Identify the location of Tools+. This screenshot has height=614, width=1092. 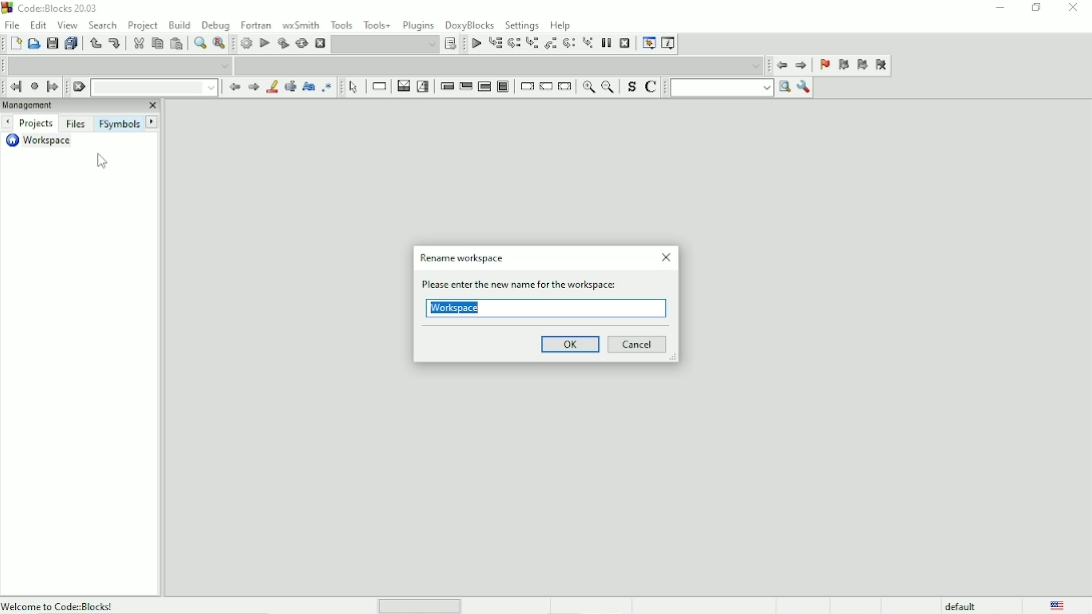
(378, 24).